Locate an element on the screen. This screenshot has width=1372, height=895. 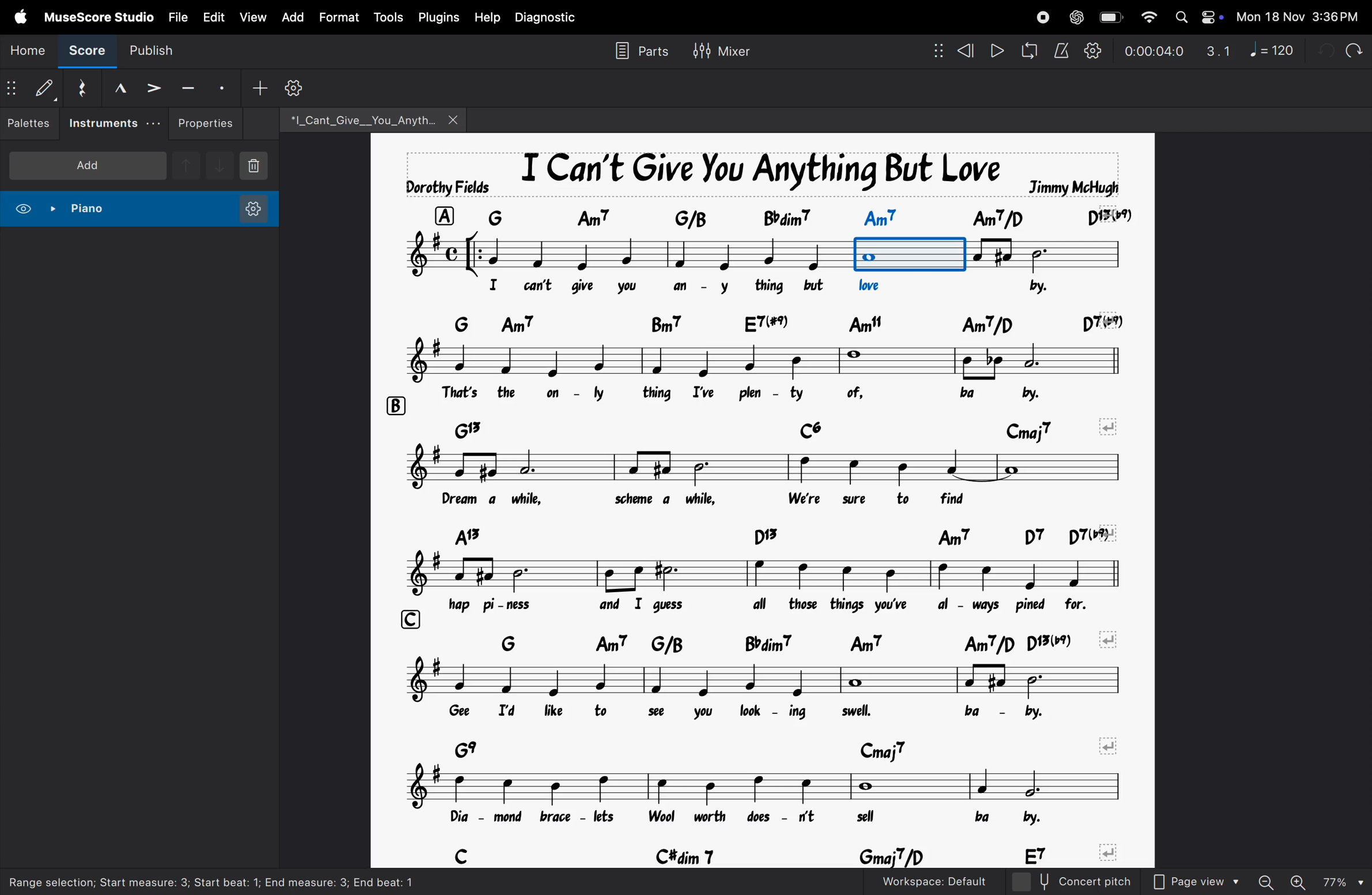
playback settings is located at coordinates (1091, 51).